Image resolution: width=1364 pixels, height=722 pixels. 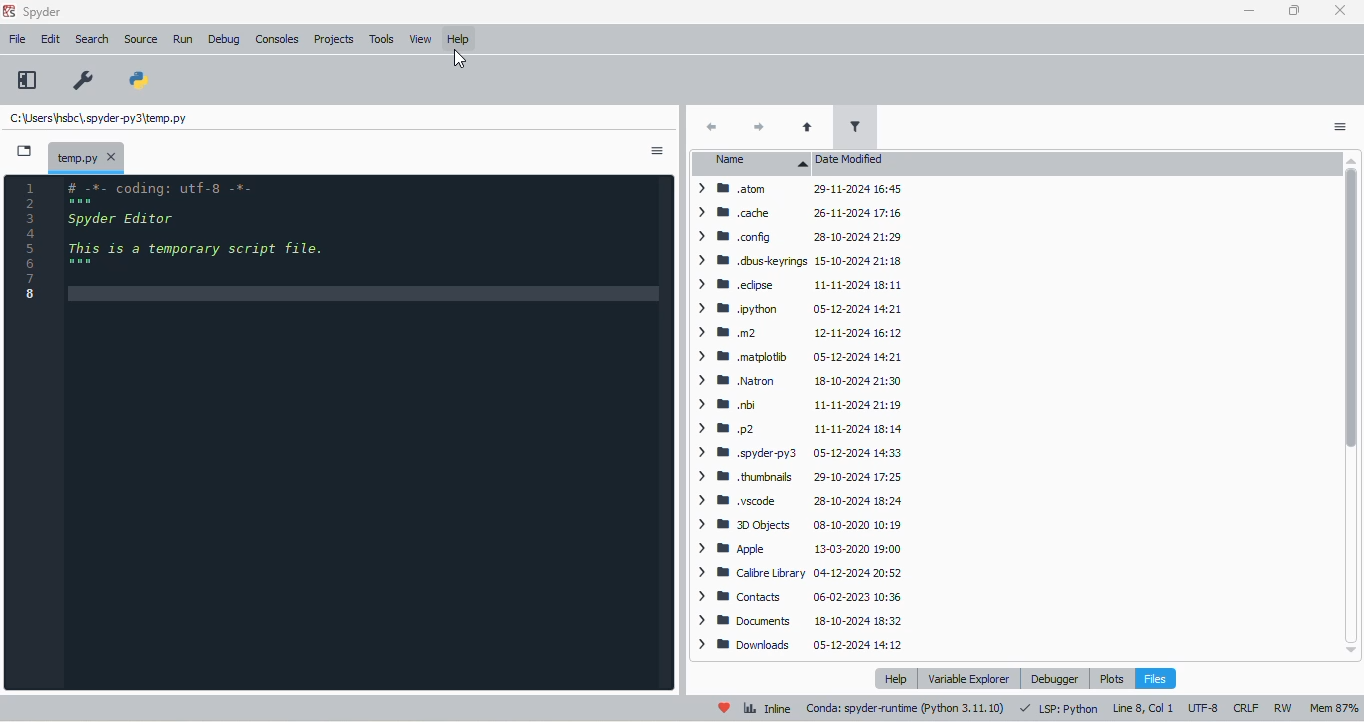 I want to click on > 8 Documents 18-10-2024 18:32, so click(x=798, y=620).